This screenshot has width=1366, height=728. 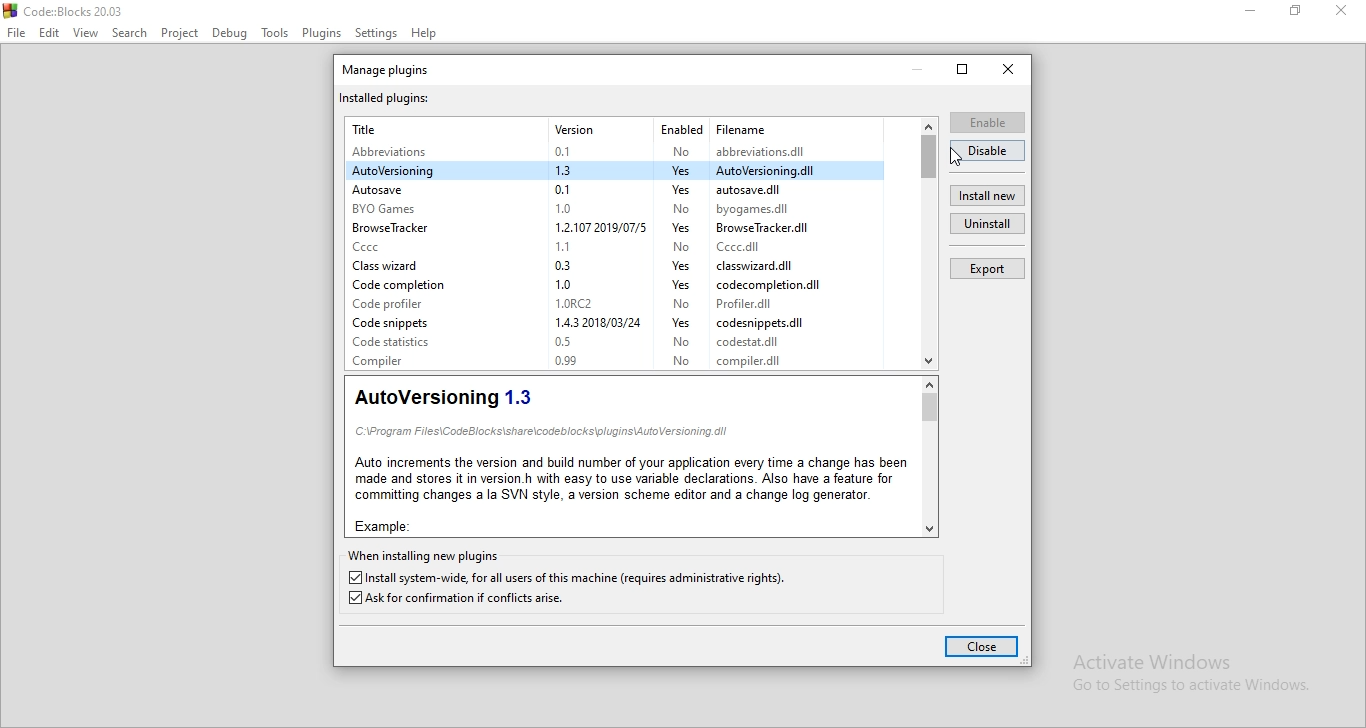 What do you see at coordinates (679, 287) in the screenshot?
I see `yes` at bounding box center [679, 287].